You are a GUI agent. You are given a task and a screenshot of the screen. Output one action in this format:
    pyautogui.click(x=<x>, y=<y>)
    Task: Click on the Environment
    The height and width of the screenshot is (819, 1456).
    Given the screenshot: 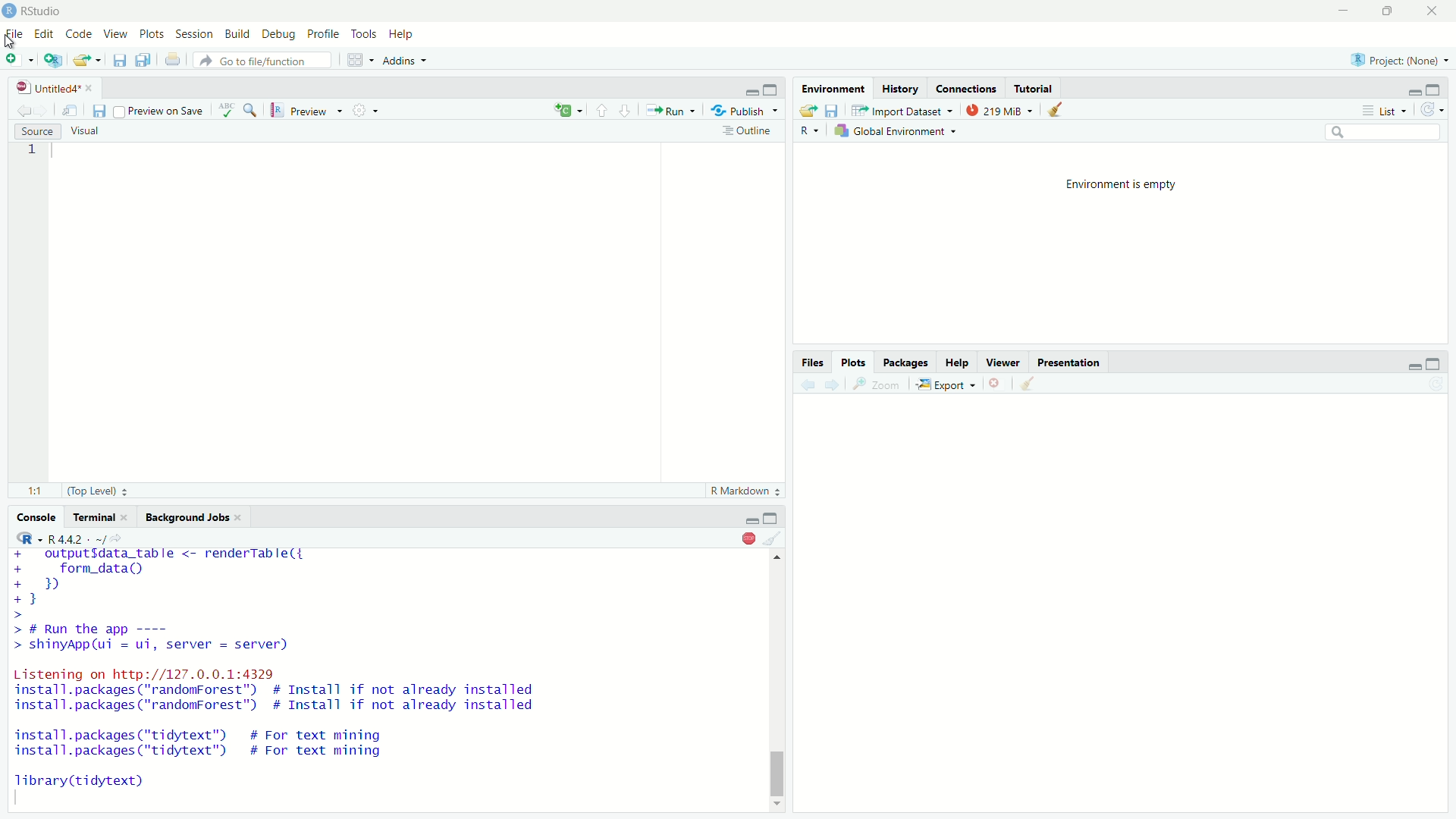 What is the action you would take?
    pyautogui.click(x=832, y=87)
    